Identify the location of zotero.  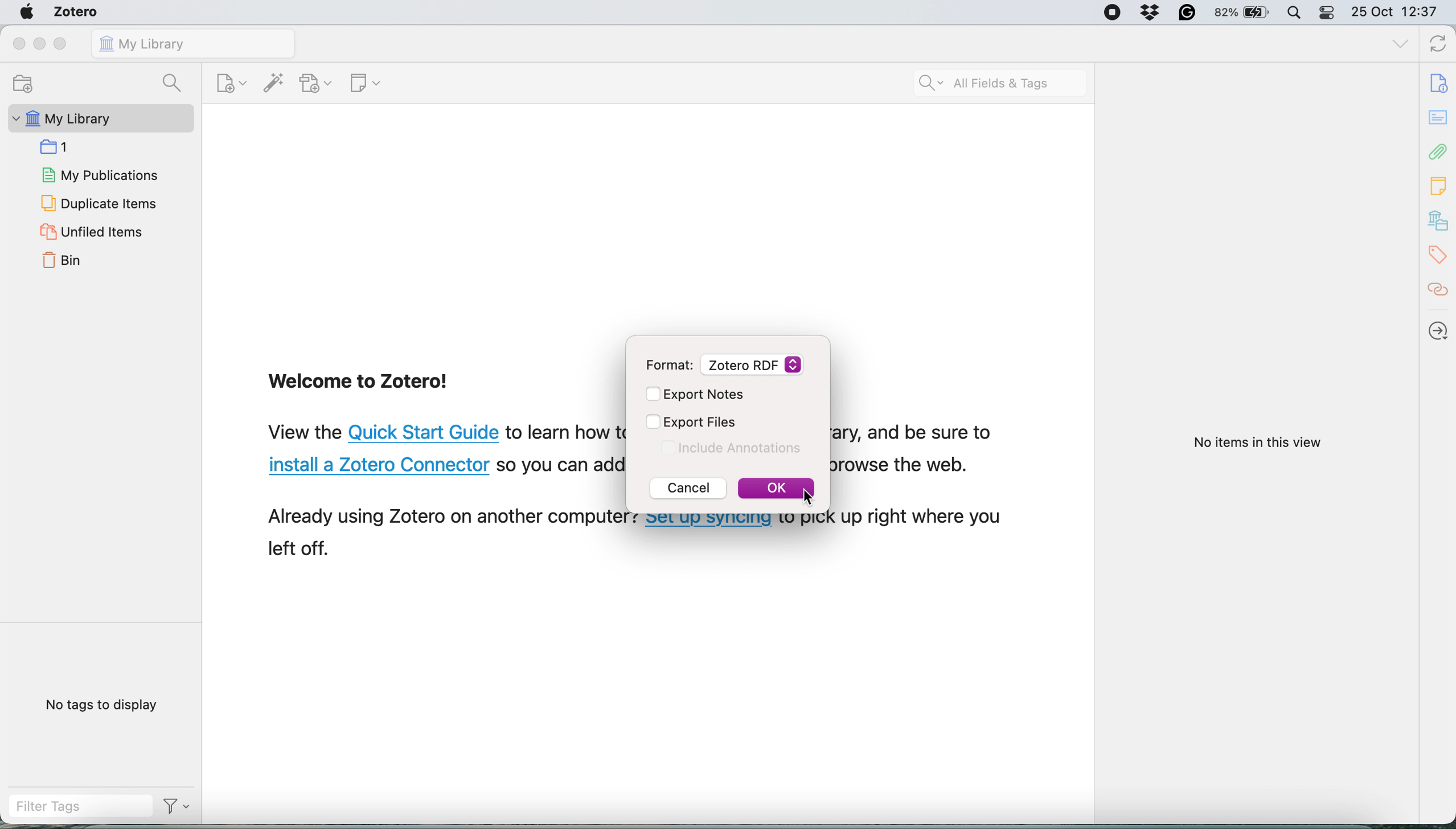
(77, 10).